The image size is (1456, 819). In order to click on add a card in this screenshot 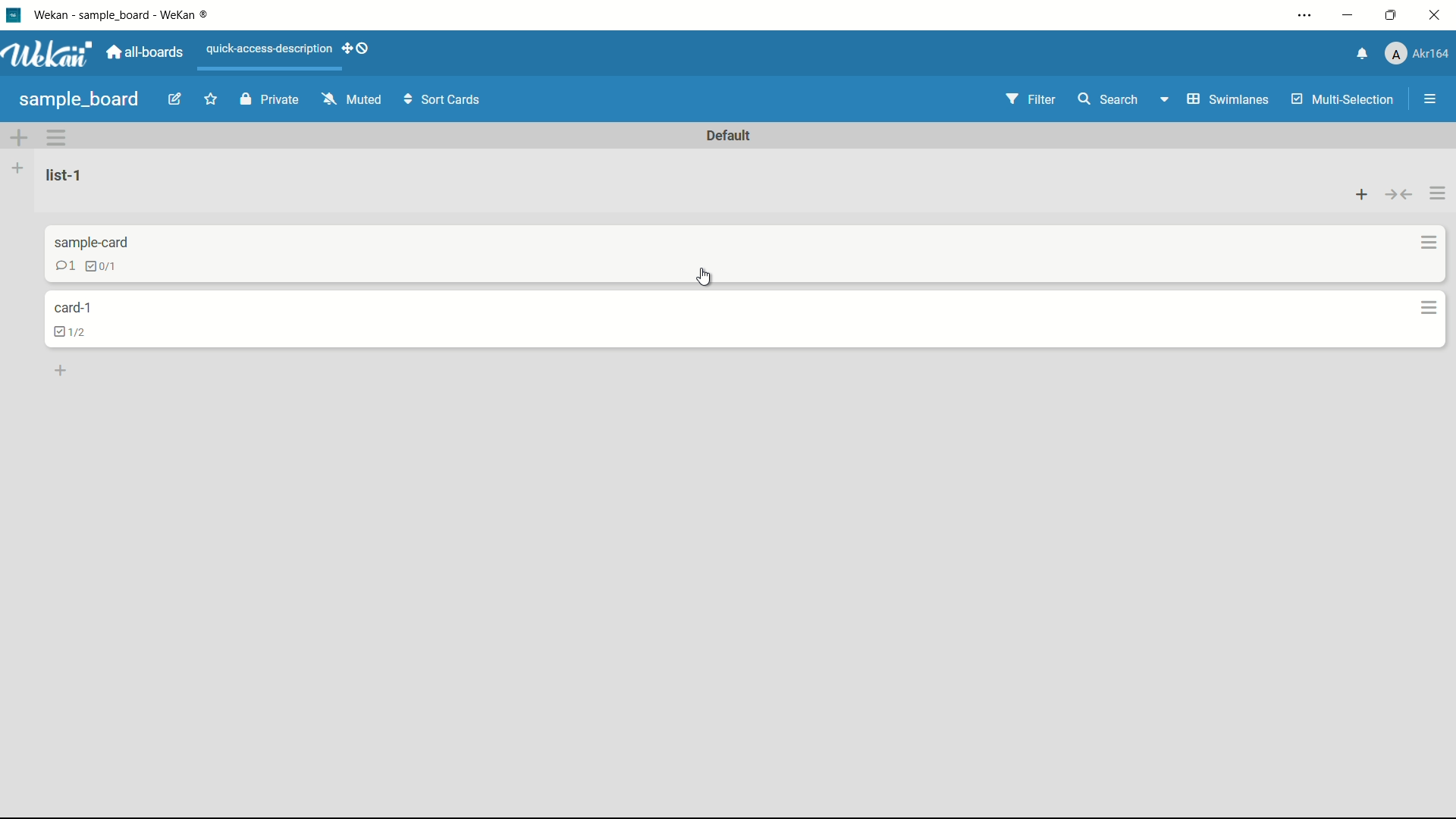, I will do `click(62, 372)`.